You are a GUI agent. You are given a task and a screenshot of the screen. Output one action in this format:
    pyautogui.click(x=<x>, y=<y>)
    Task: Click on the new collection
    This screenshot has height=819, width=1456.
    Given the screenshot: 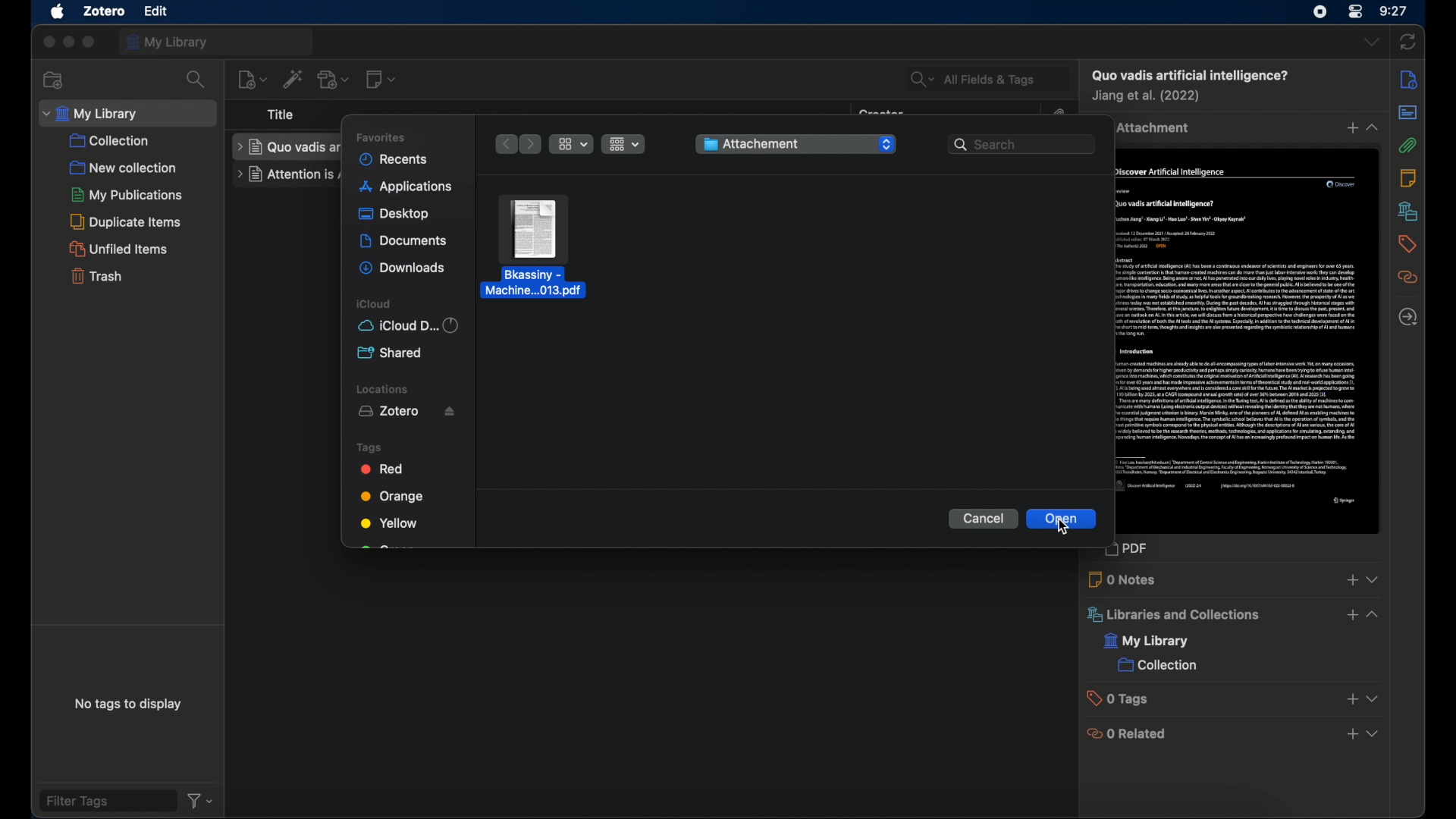 What is the action you would take?
    pyautogui.click(x=52, y=79)
    